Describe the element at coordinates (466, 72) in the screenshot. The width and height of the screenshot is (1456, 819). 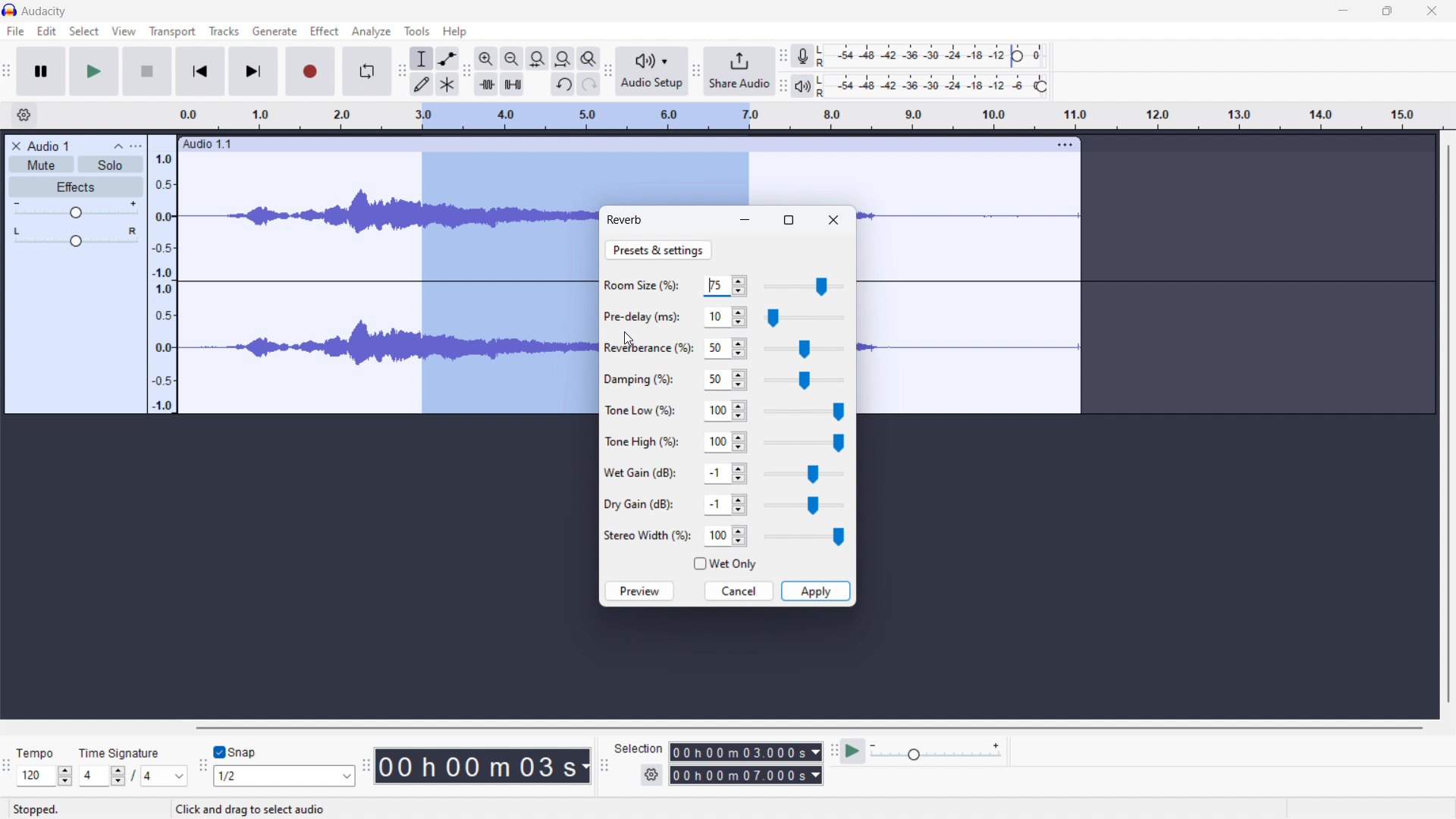
I see `edit toolbar` at that location.